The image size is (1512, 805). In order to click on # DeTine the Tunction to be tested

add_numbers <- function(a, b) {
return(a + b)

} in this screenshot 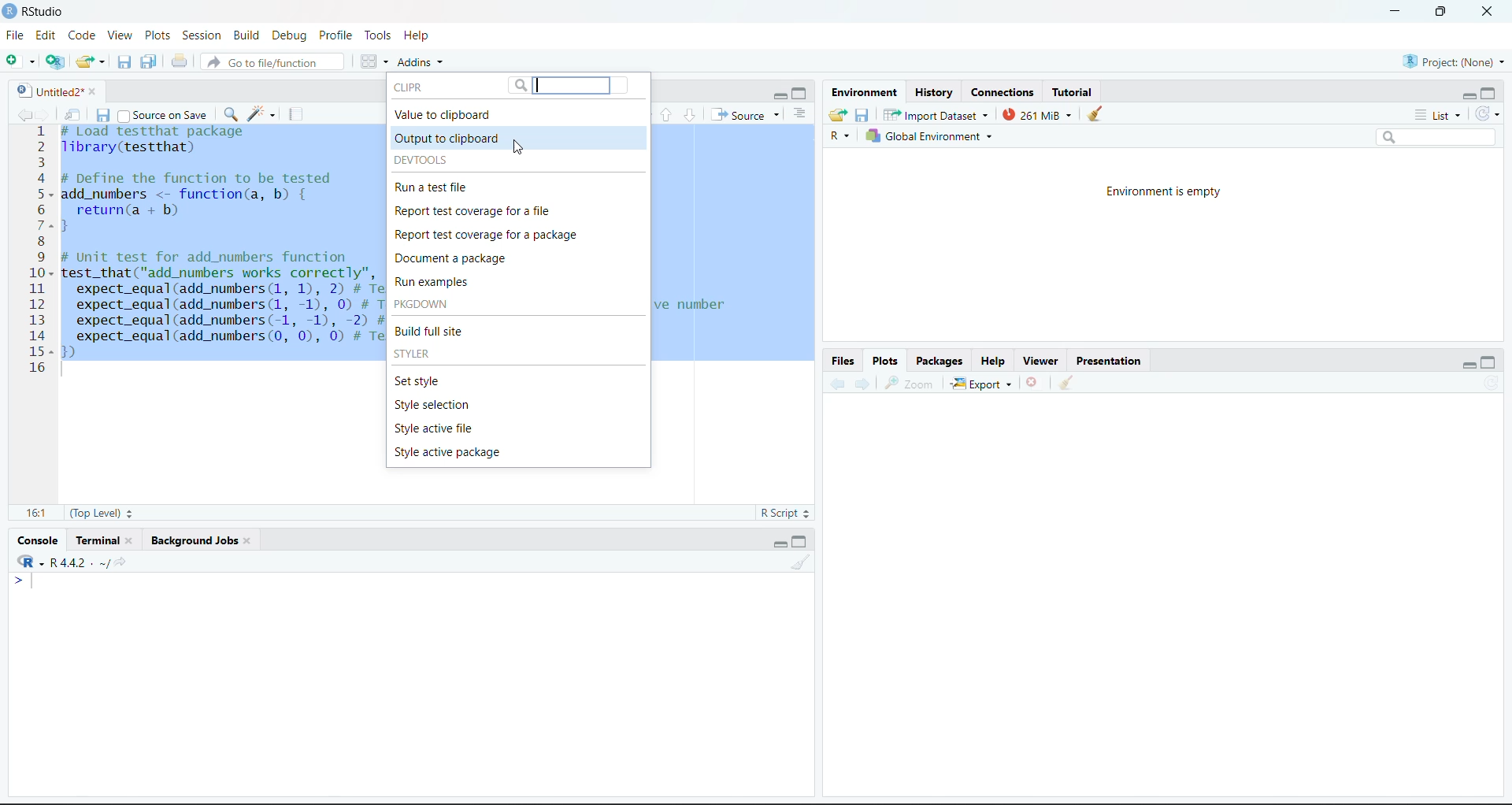, I will do `click(198, 204)`.